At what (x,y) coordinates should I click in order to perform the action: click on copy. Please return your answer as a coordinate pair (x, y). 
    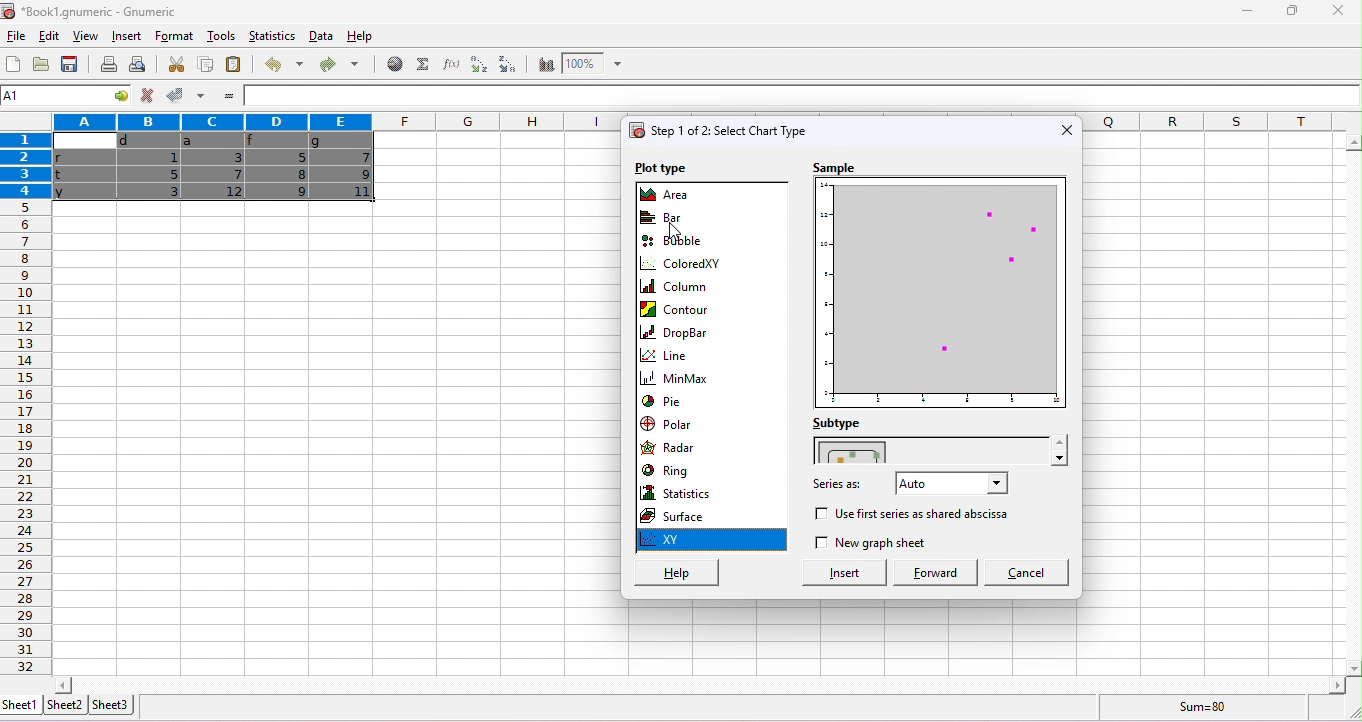
    Looking at the image, I should click on (203, 64).